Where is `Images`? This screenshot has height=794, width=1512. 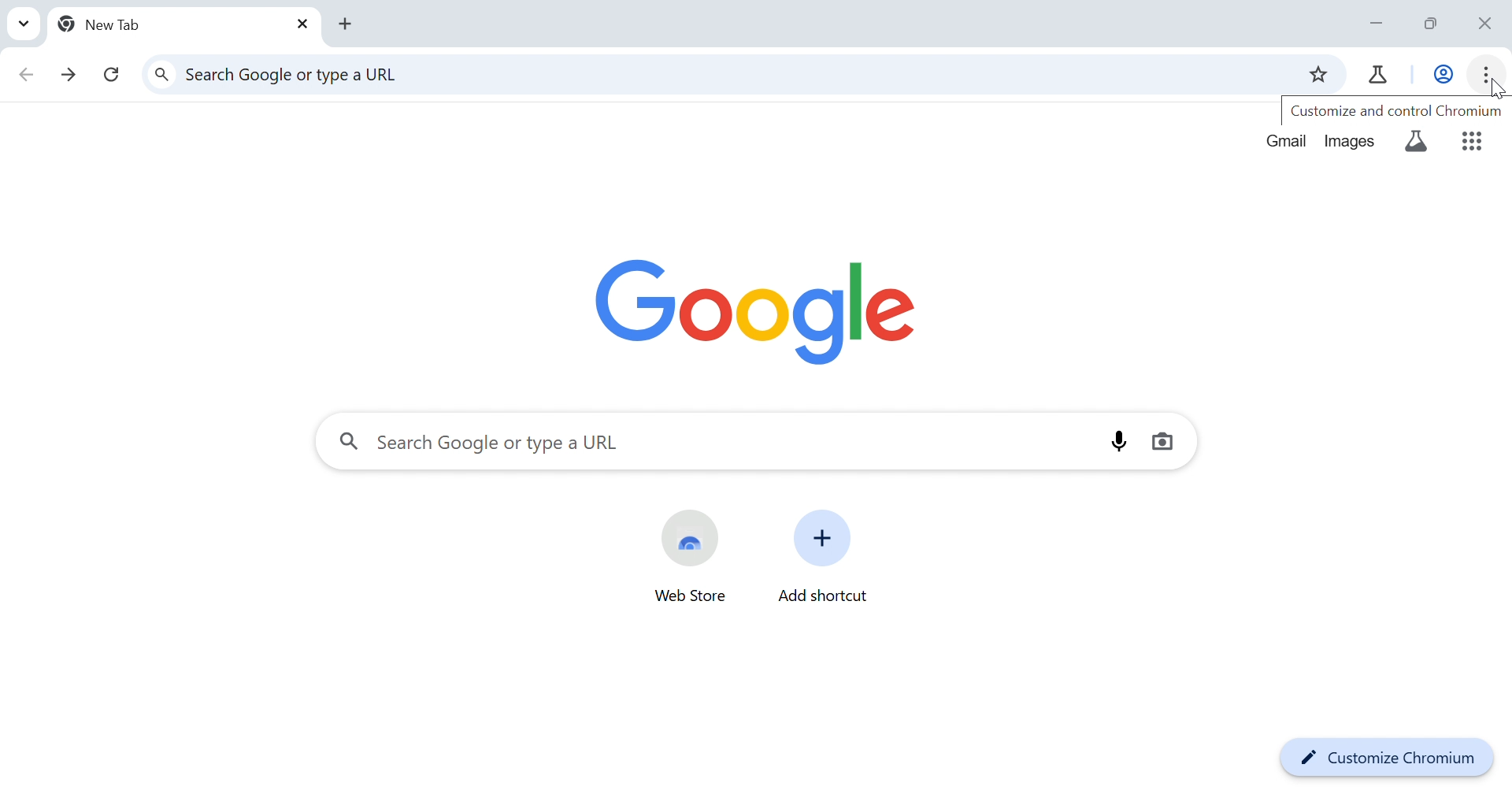 Images is located at coordinates (1352, 141).